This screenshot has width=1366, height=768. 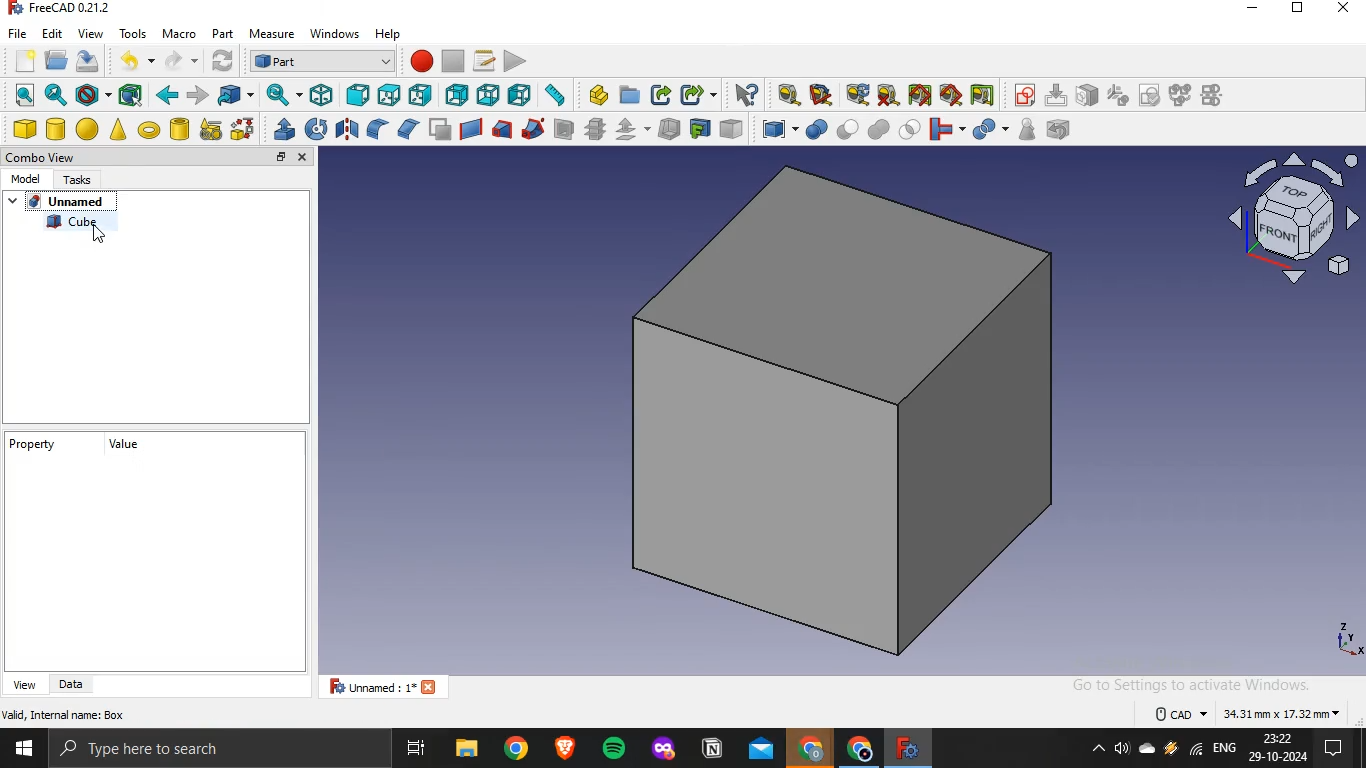 I want to click on freecad, so click(x=905, y=748).